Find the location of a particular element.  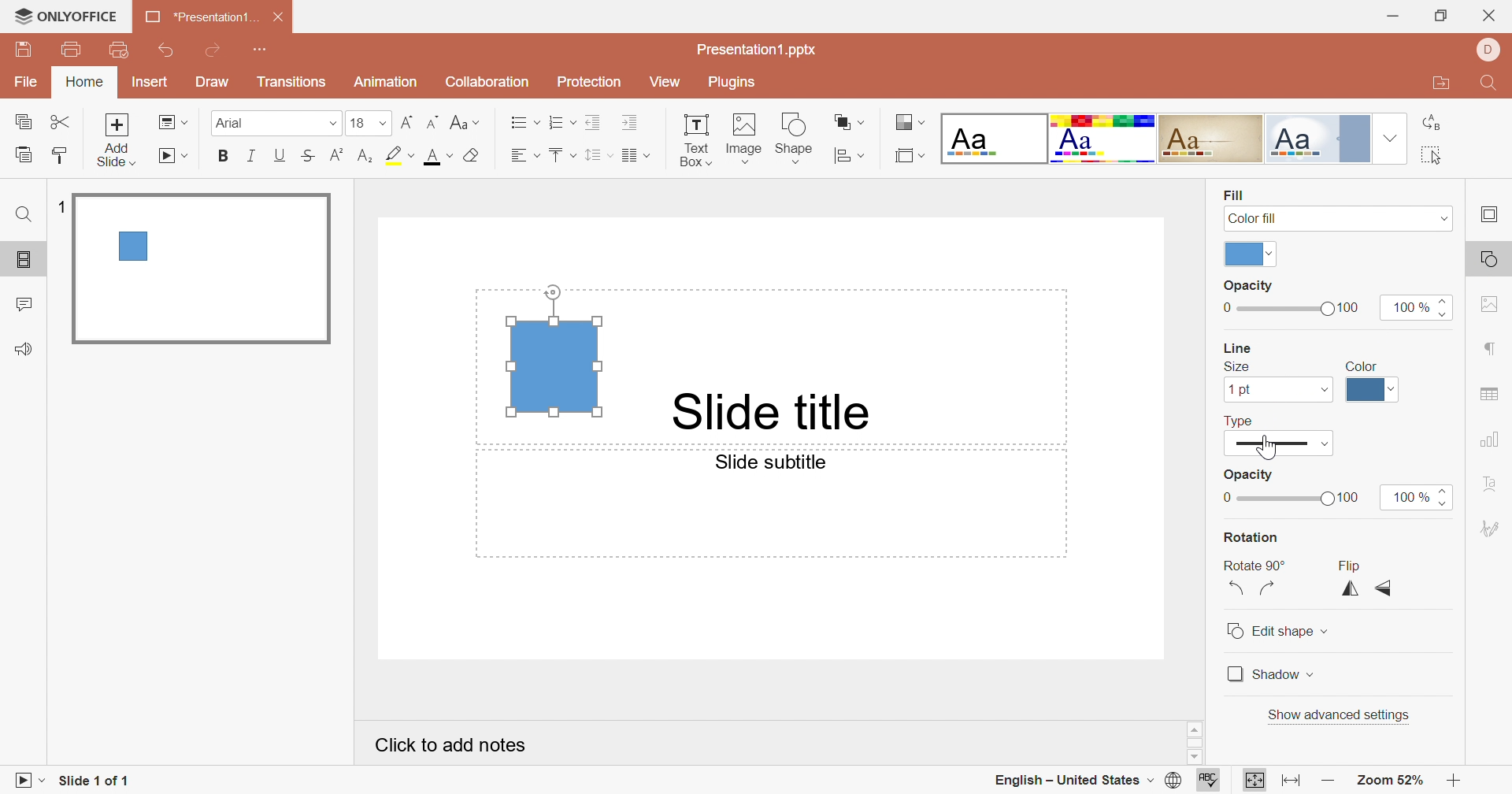

Drop down is located at coordinates (1328, 631).